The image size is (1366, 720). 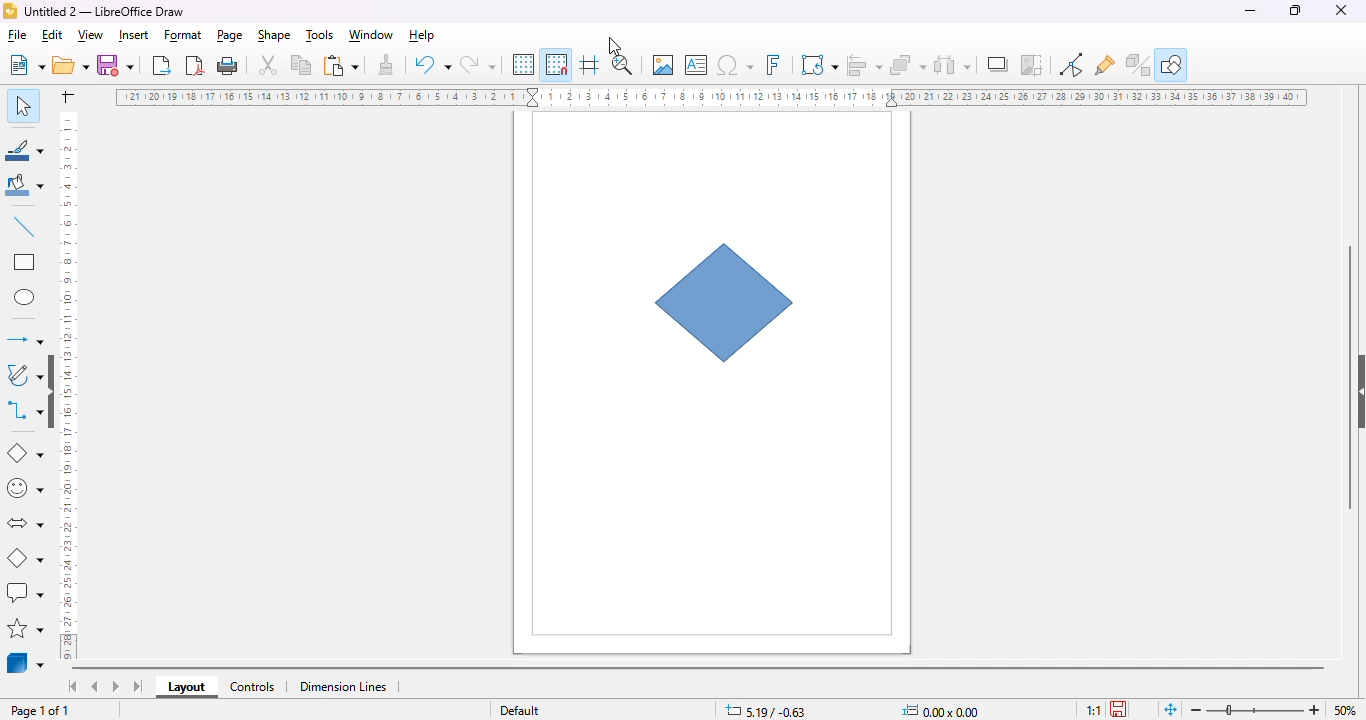 What do you see at coordinates (1250, 10) in the screenshot?
I see `minimize` at bounding box center [1250, 10].